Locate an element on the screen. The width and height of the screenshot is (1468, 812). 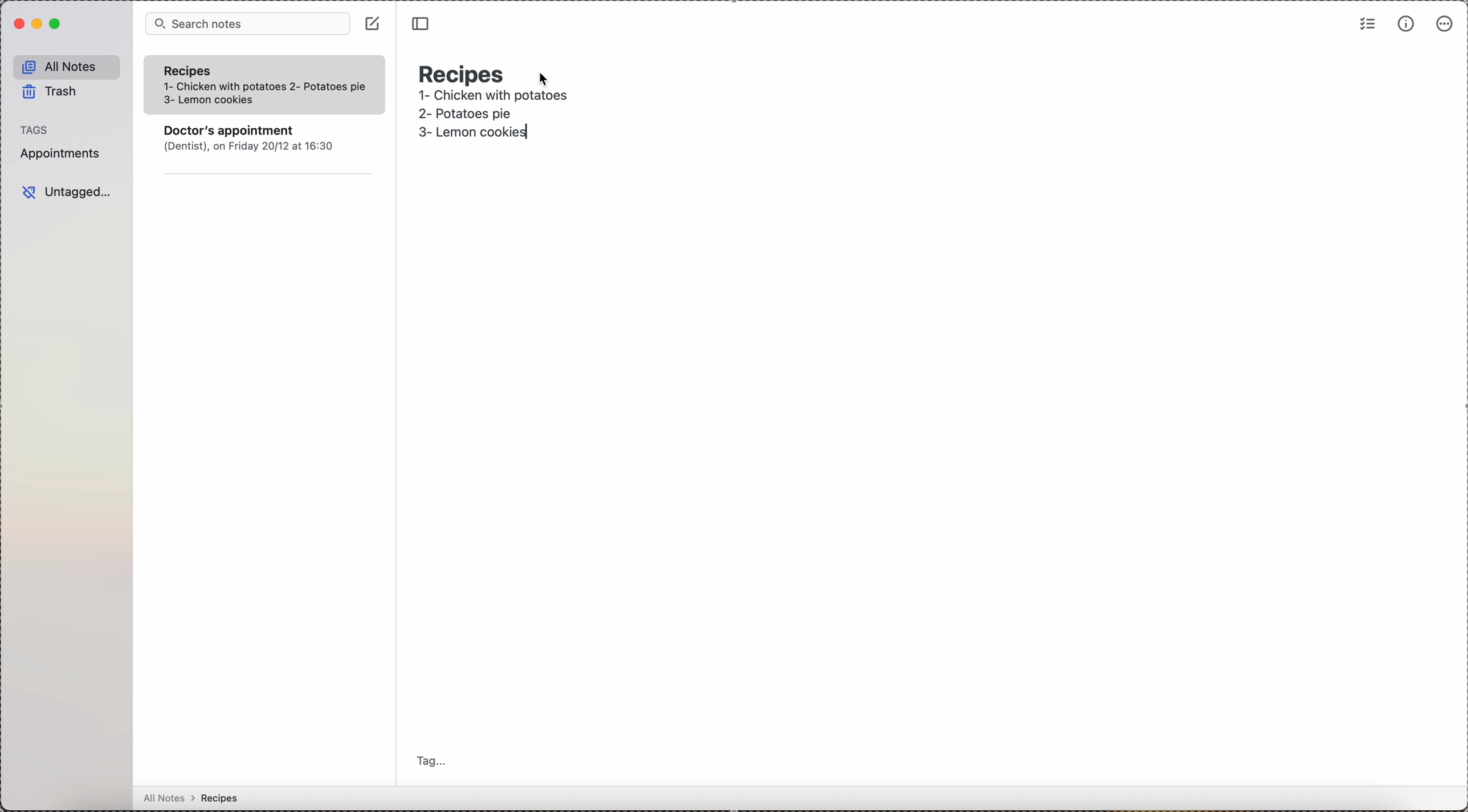
1- Chicken with potatoes is located at coordinates (499, 95).